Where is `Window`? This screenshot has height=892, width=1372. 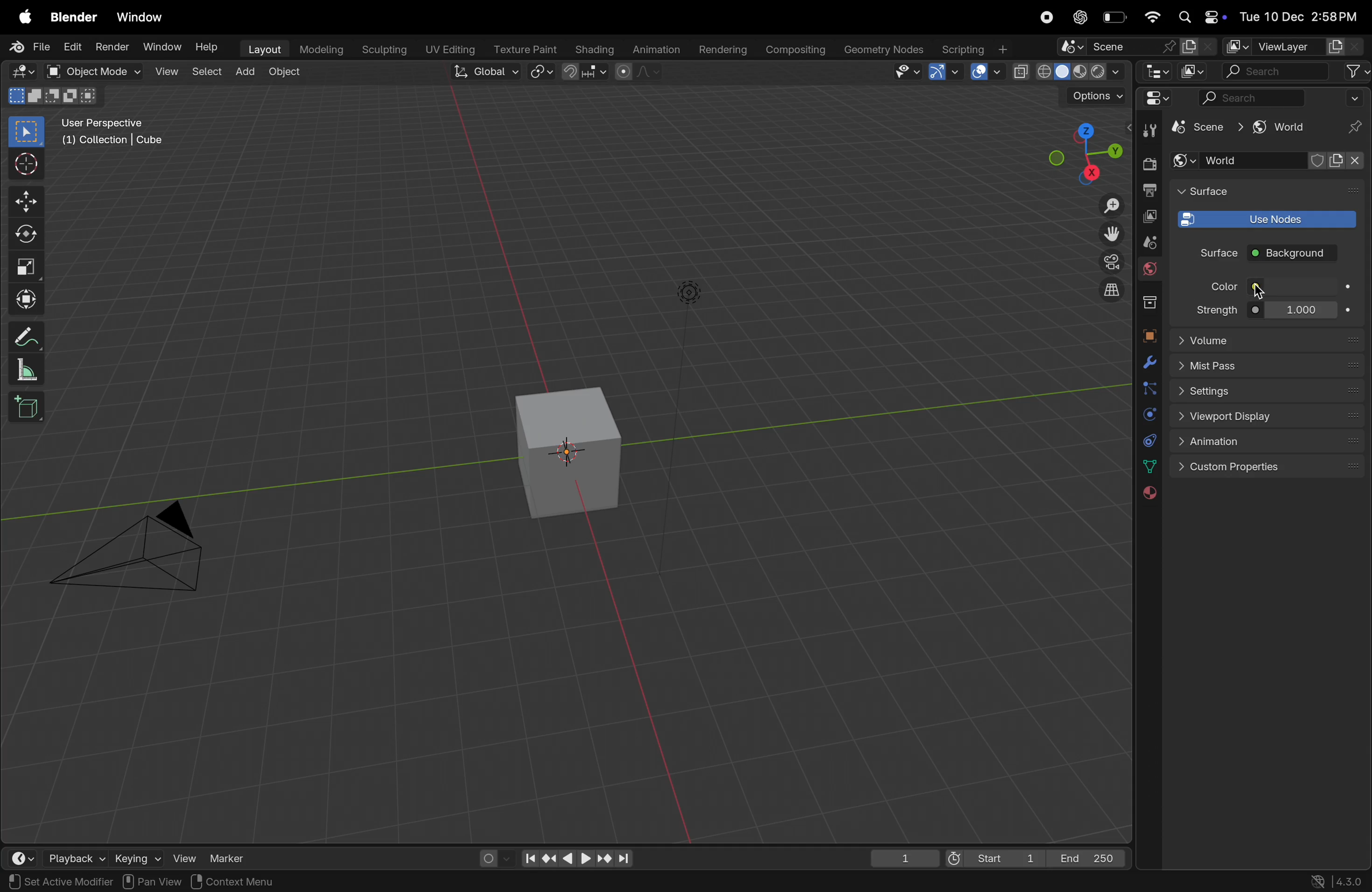
Window is located at coordinates (144, 18).